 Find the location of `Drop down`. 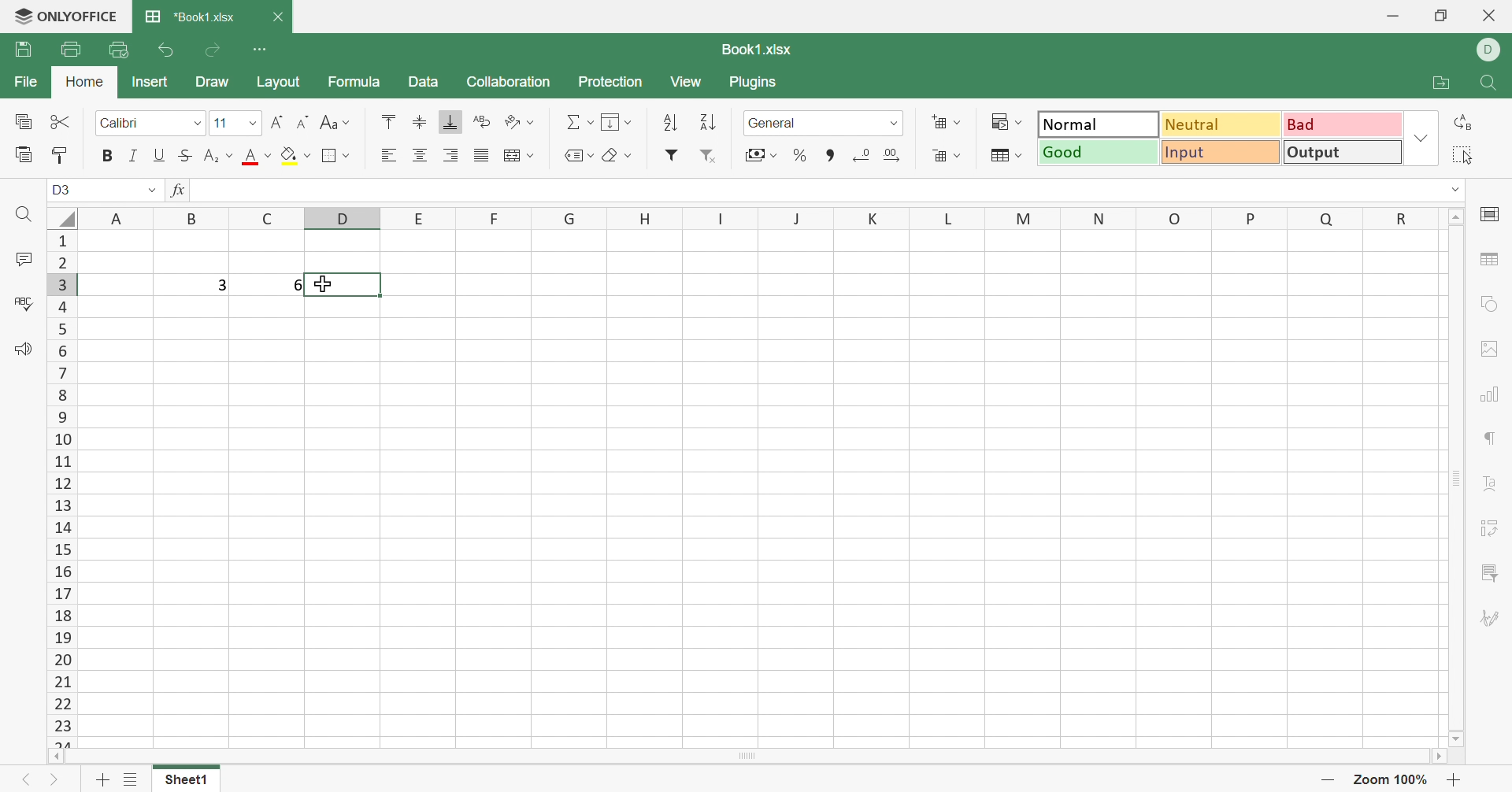

Drop down is located at coordinates (154, 191).